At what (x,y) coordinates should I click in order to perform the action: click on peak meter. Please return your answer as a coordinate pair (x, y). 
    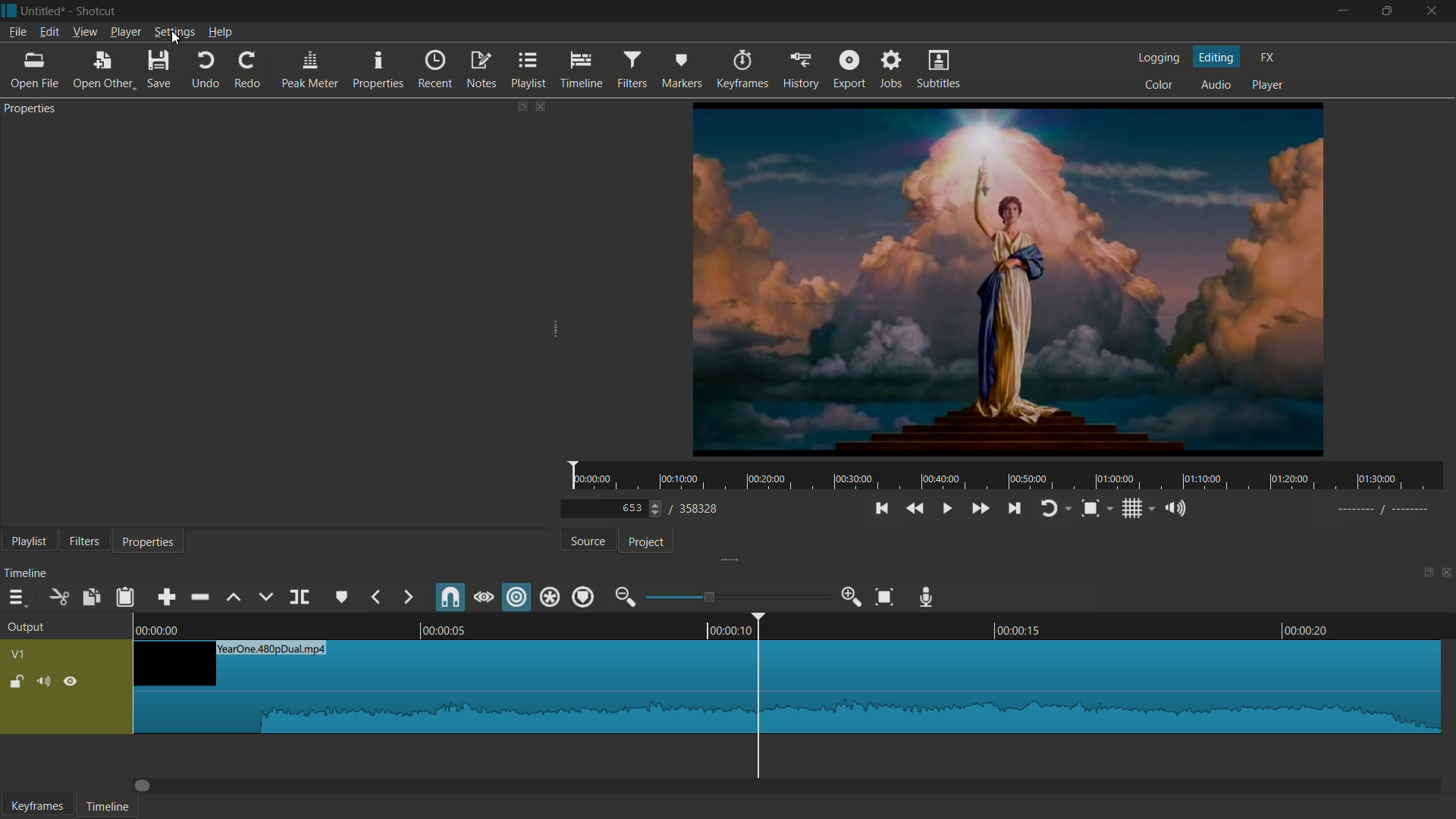
    Looking at the image, I should click on (310, 69).